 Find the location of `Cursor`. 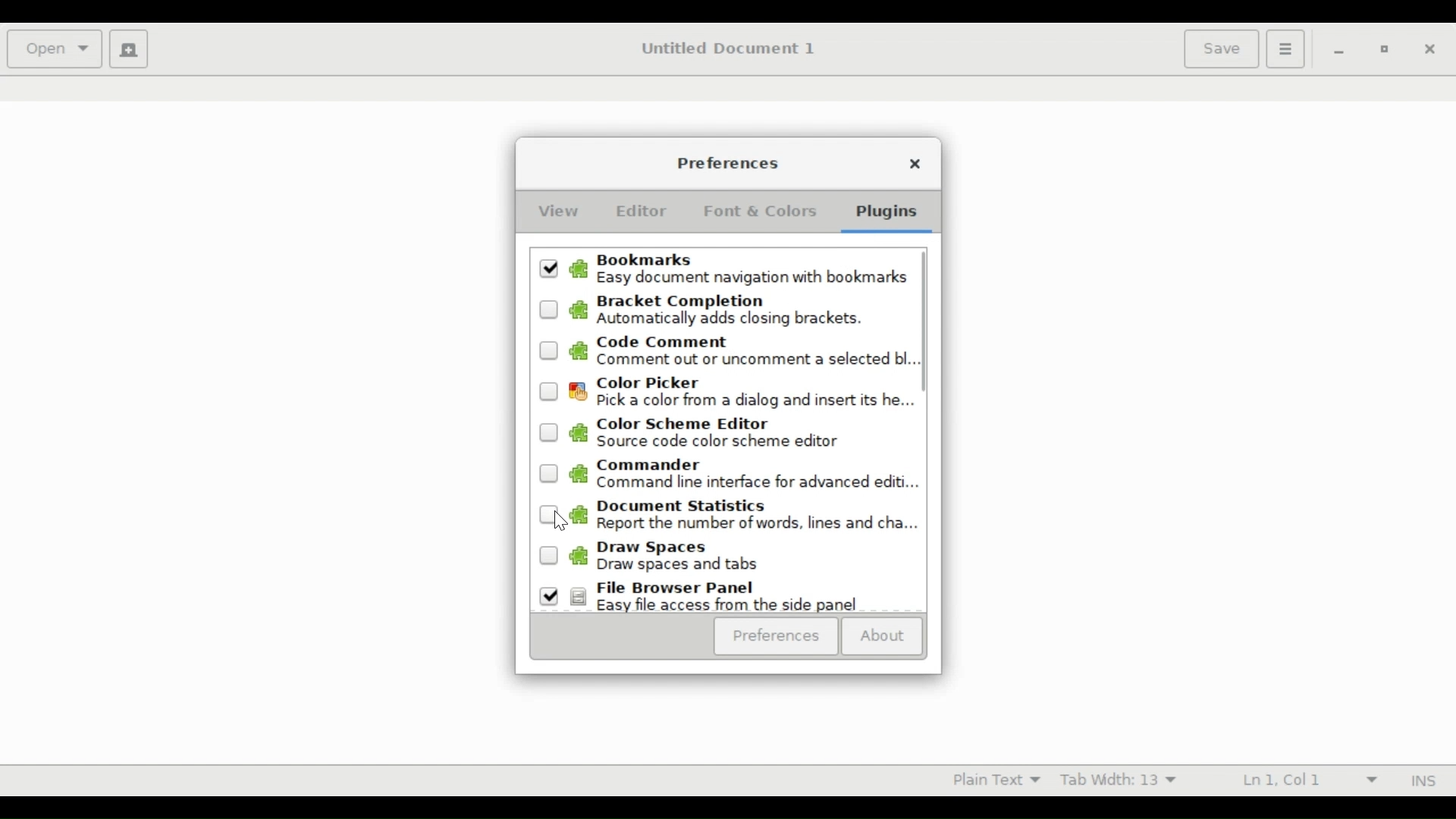

Cursor is located at coordinates (560, 523).